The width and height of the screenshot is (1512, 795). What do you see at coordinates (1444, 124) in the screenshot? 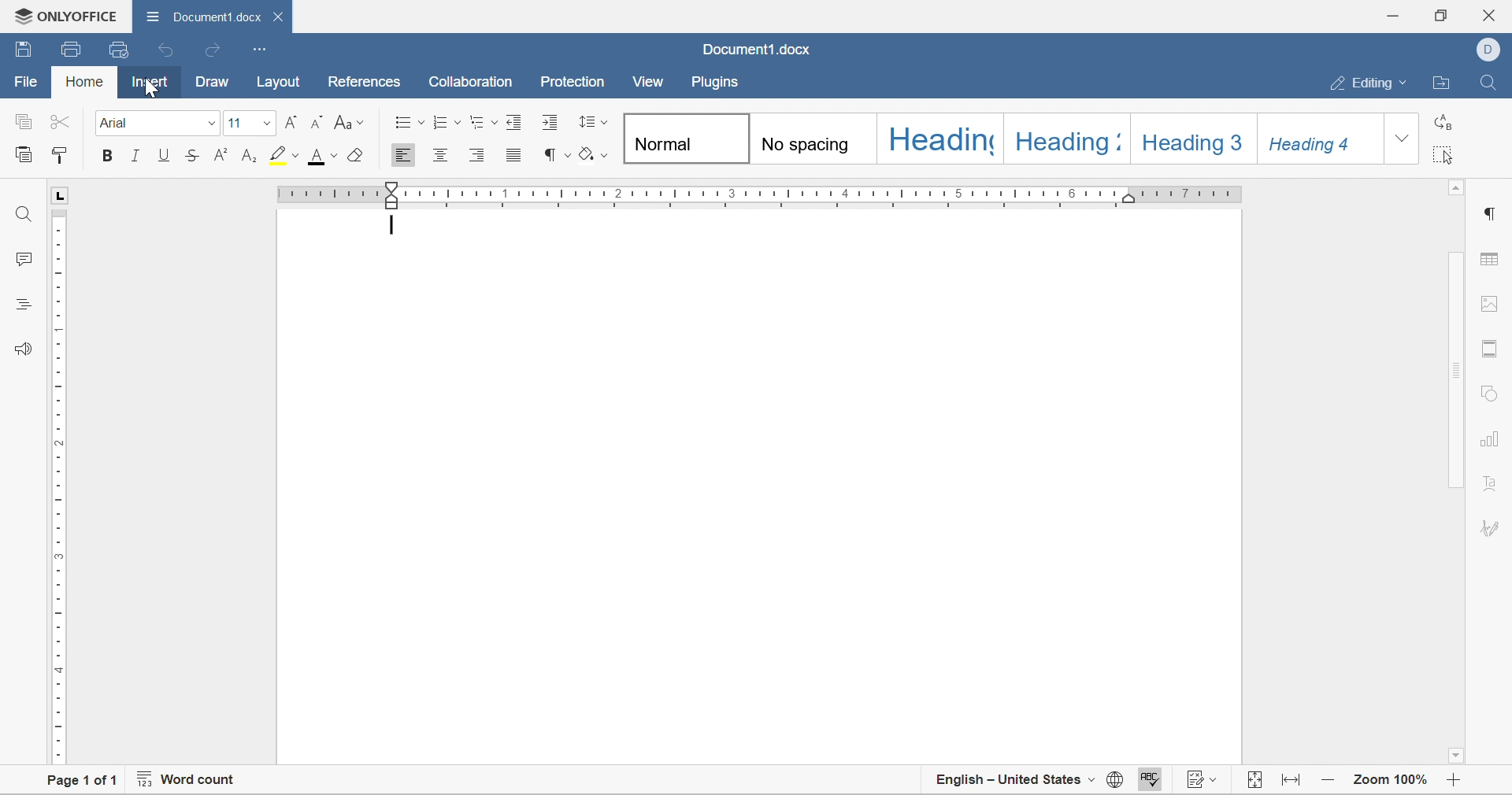
I see `Replace` at bounding box center [1444, 124].